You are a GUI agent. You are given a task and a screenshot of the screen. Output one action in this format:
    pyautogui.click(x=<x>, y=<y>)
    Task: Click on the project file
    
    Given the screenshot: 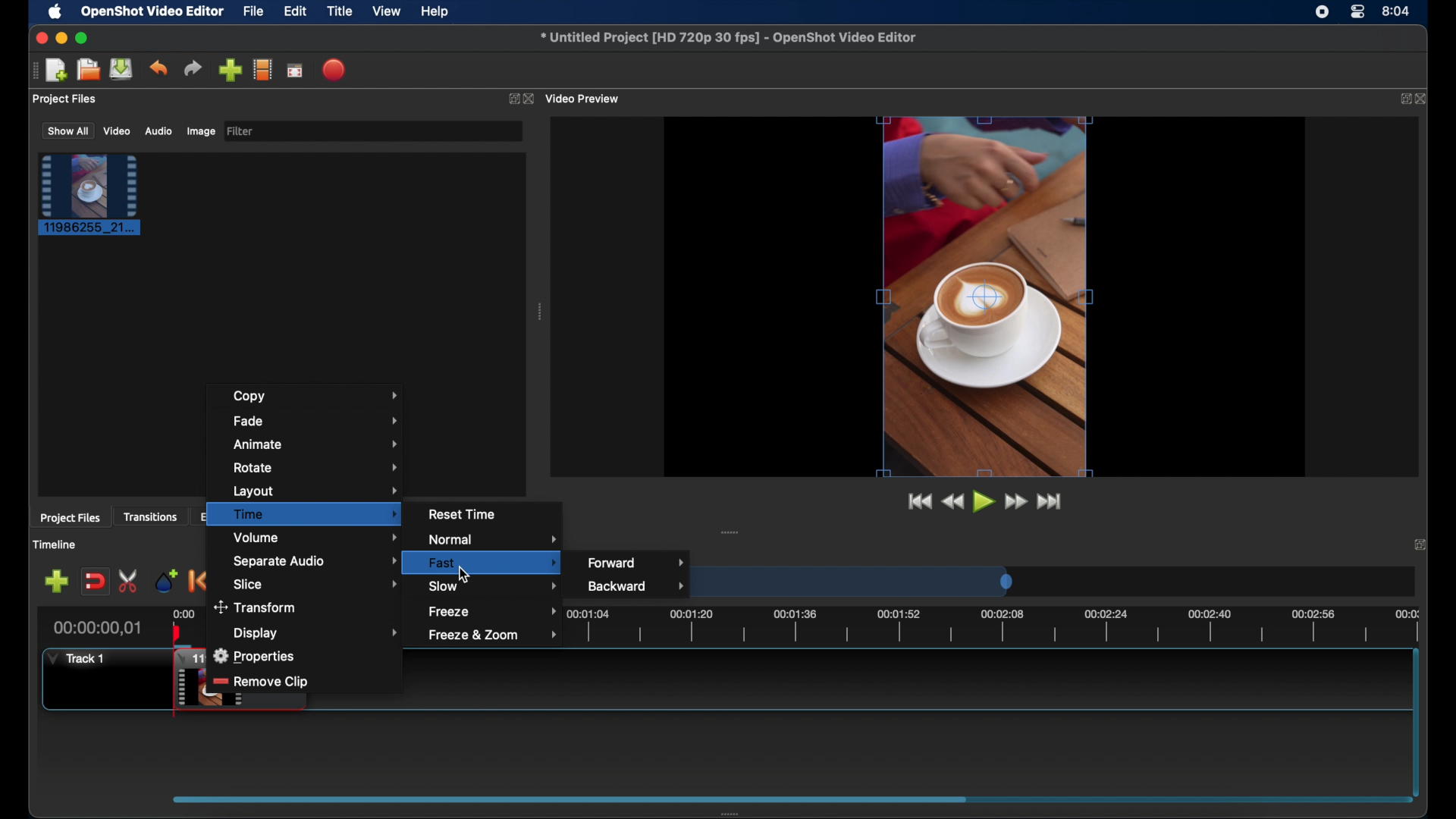 What is the action you would take?
    pyautogui.click(x=90, y=195)
    